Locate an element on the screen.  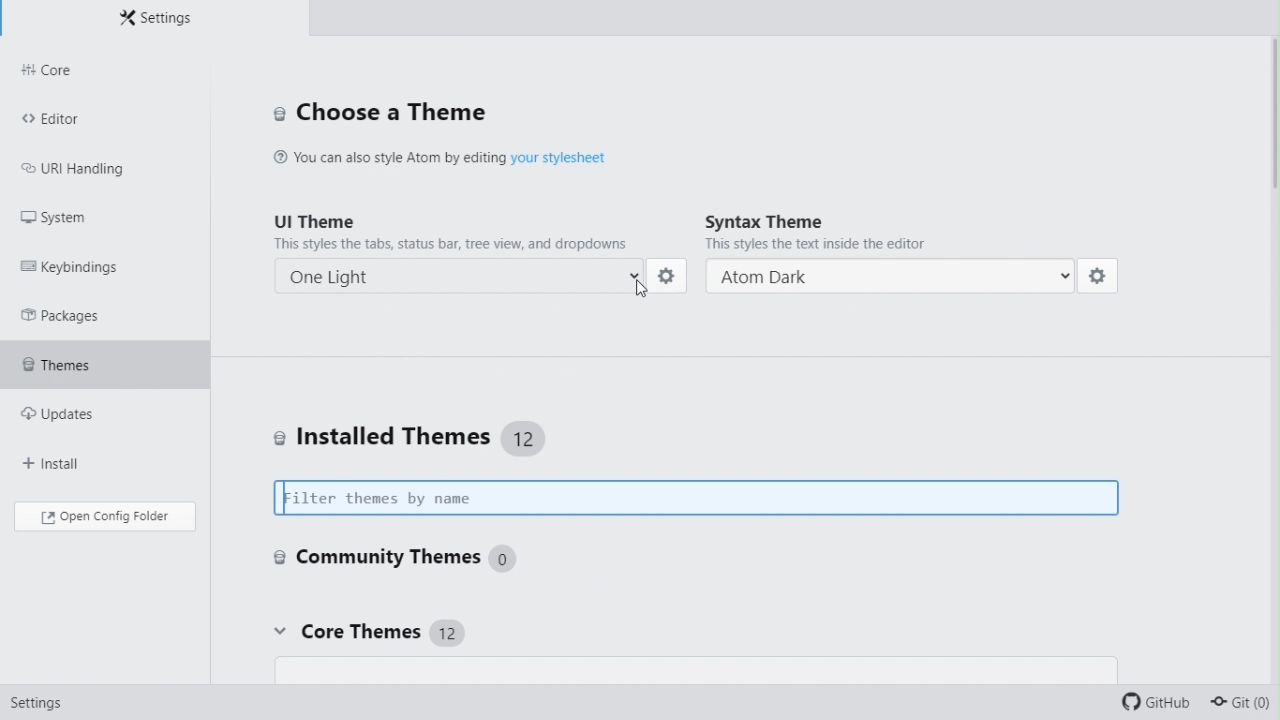
setting is located at coordinates (1098, 279).